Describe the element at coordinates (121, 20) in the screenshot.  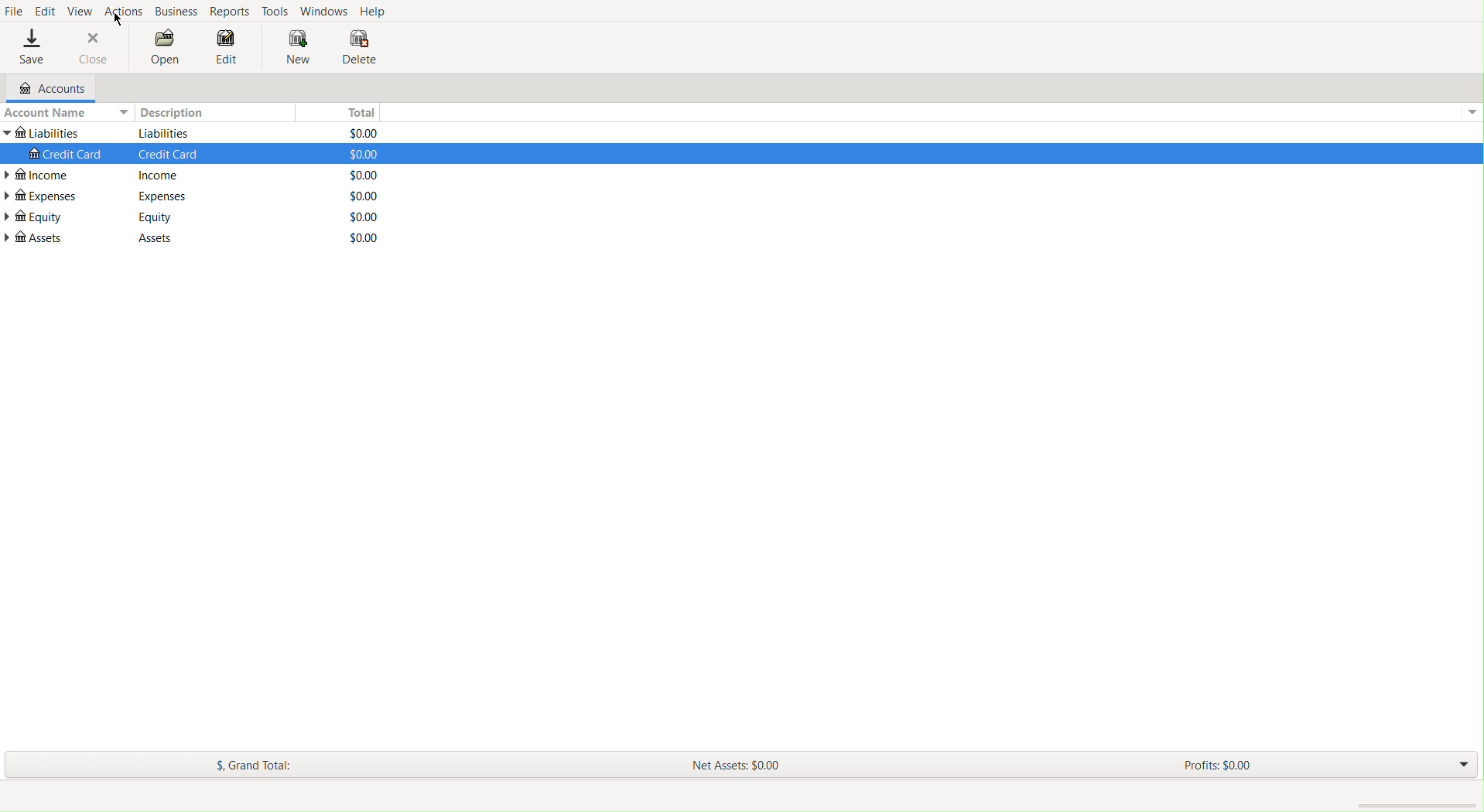
I see `cursor` at that location.